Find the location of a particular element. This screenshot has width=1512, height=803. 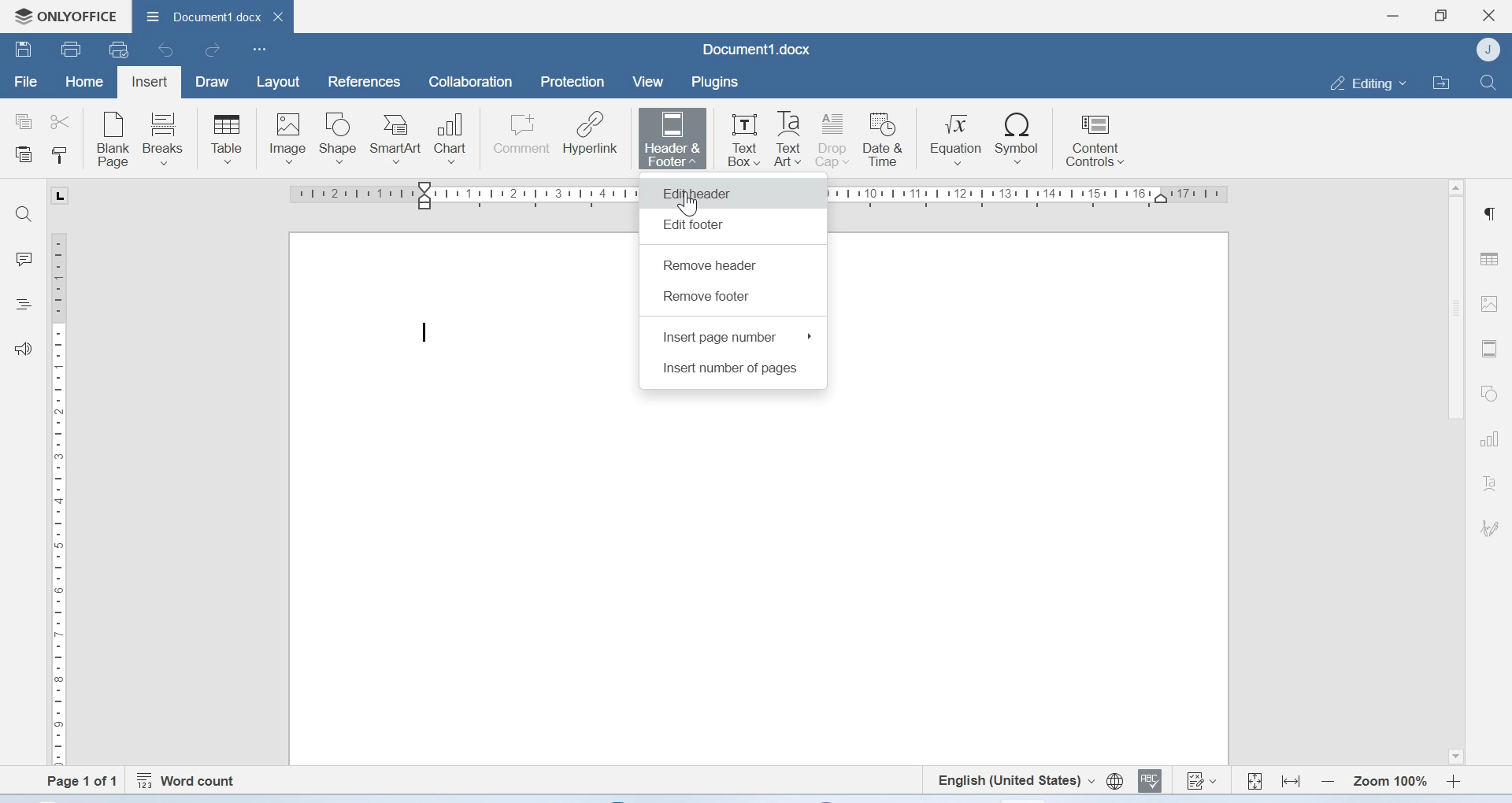

Set document language is located at coordinates (1114, 782).